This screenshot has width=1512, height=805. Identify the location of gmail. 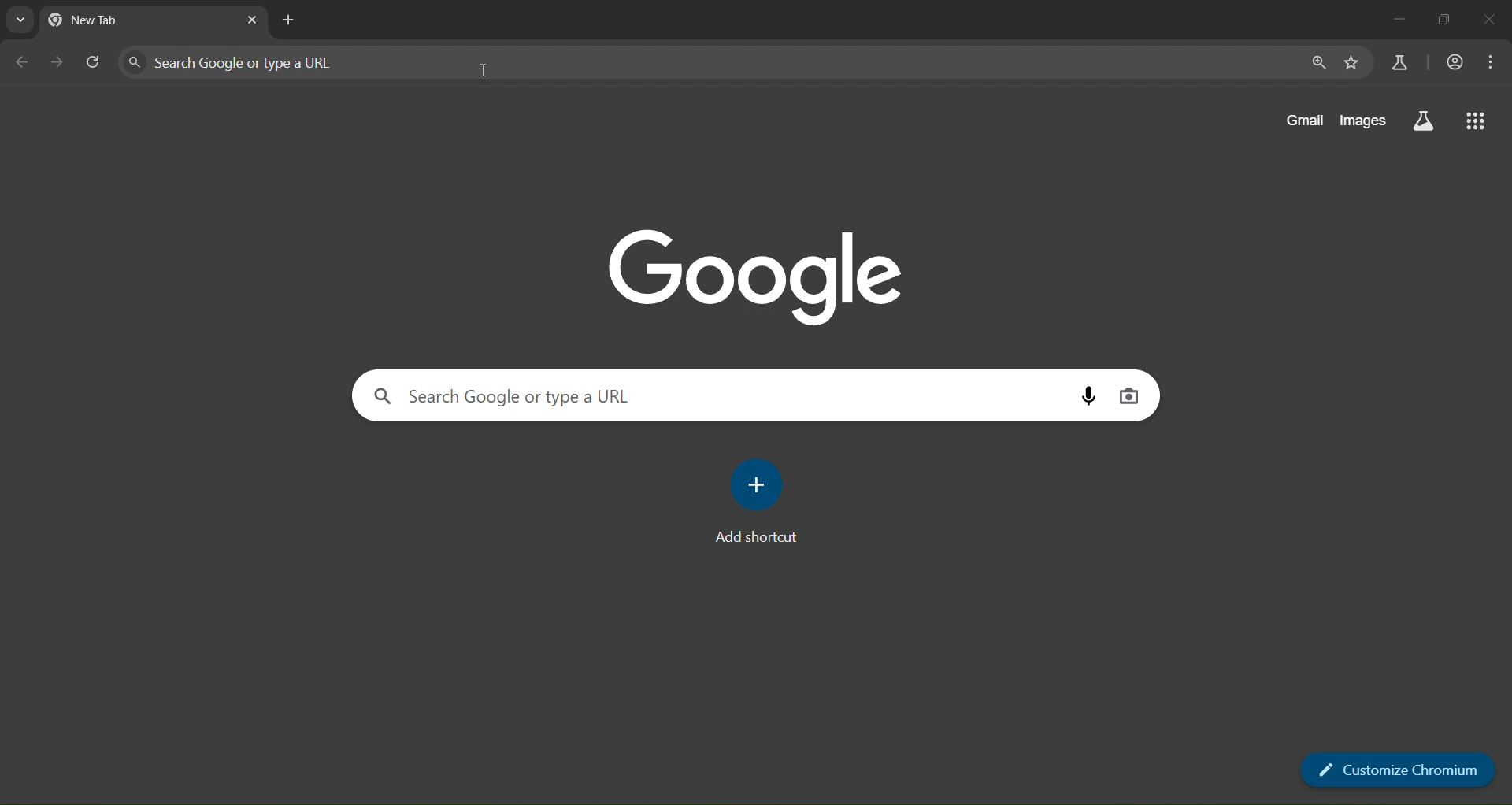
(1305, 118).